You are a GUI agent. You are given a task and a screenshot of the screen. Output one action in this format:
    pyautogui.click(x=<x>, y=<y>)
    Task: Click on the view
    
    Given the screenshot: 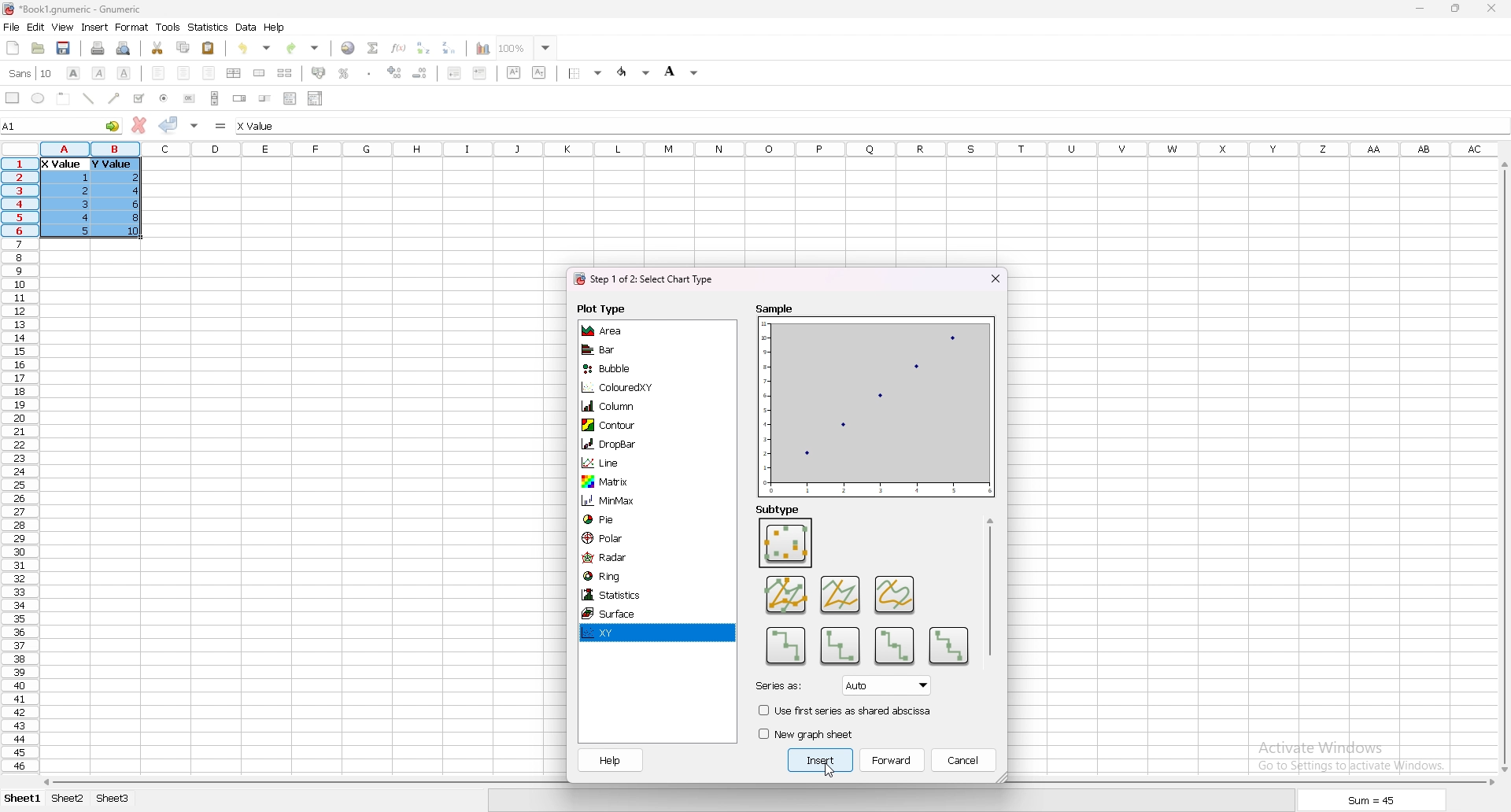 What is the action you would take?
    pyautogui.click(x=62, y=28)
    